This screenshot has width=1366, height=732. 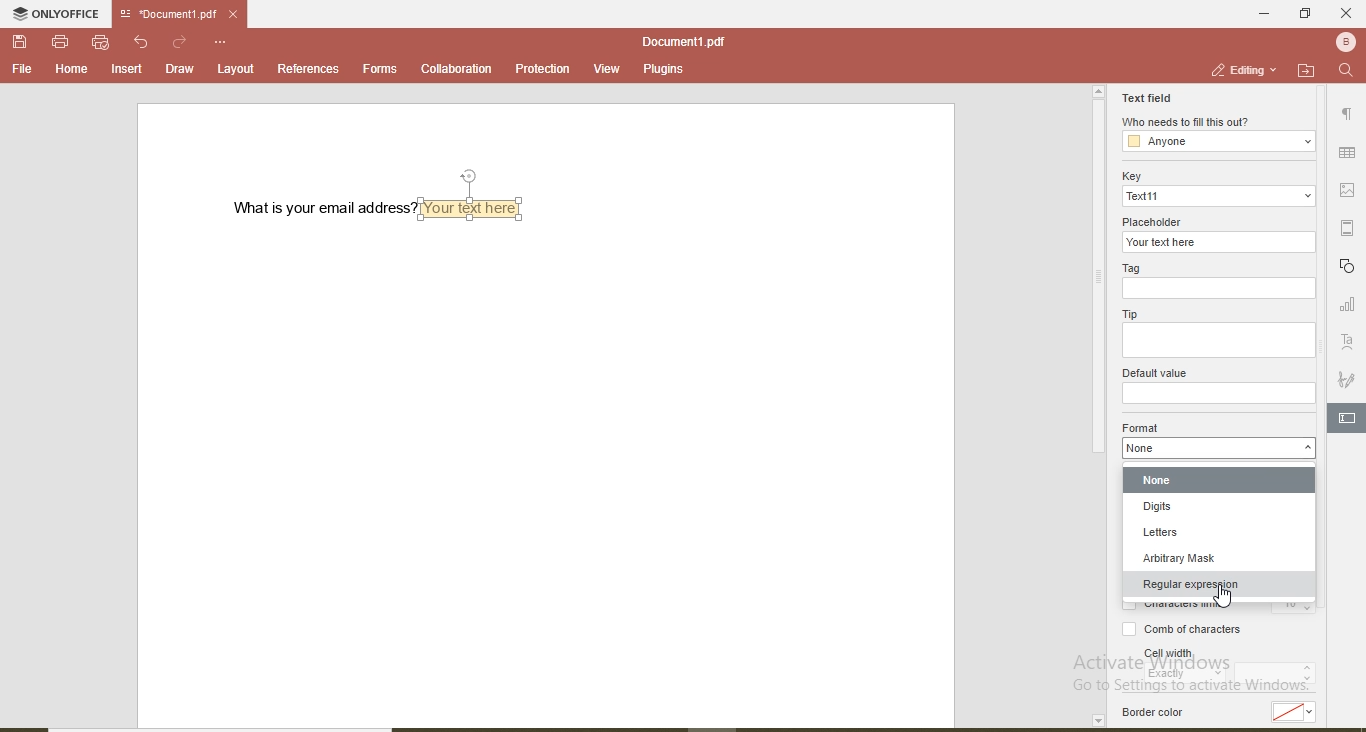 I want to click on plugins, so click(x=662, y=71).